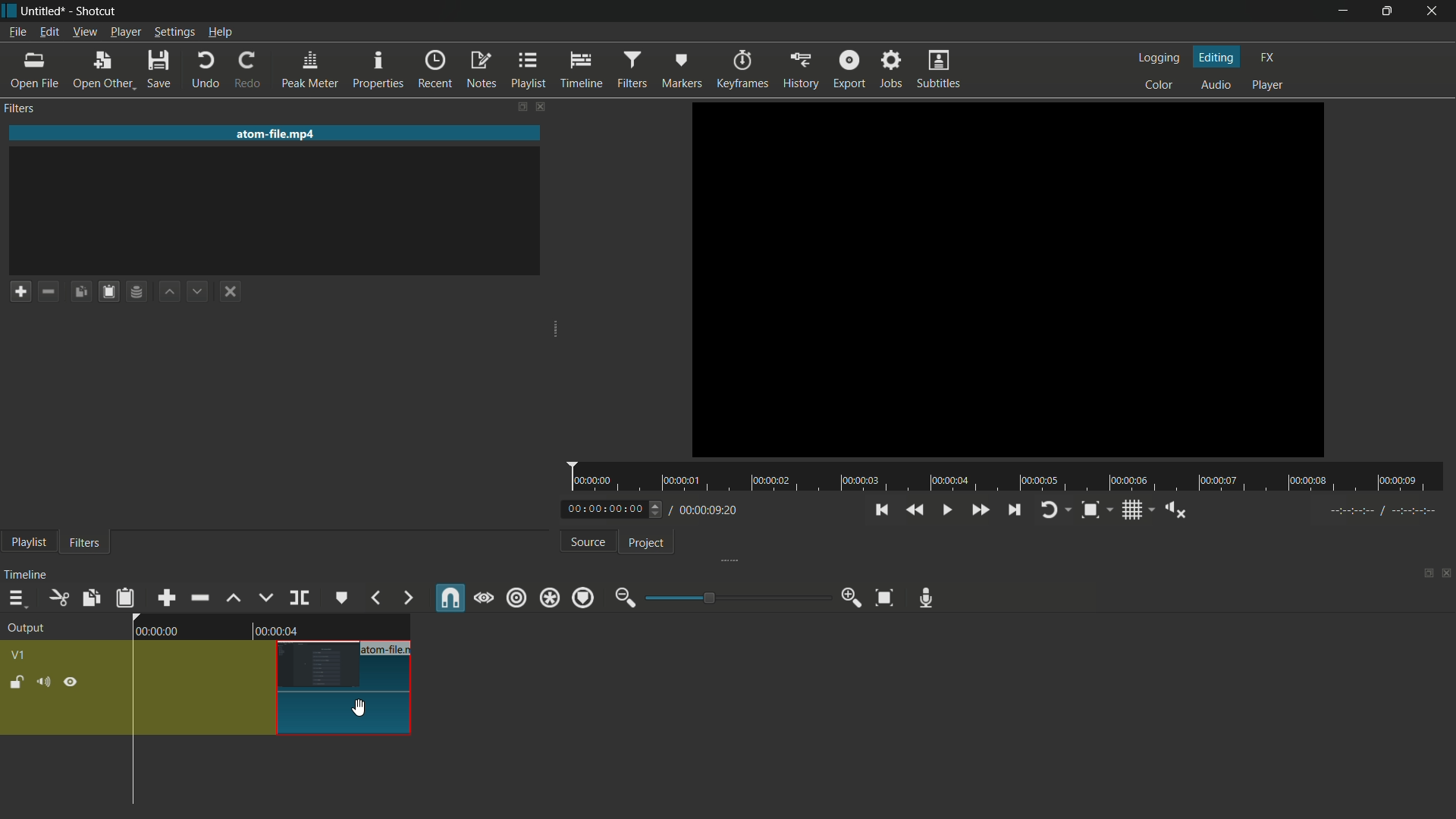 The image size is (1456, 819). What do you see at coordinates (30, 572) in the screenshot?
I see `timeline` at bounding box center [30, 572].